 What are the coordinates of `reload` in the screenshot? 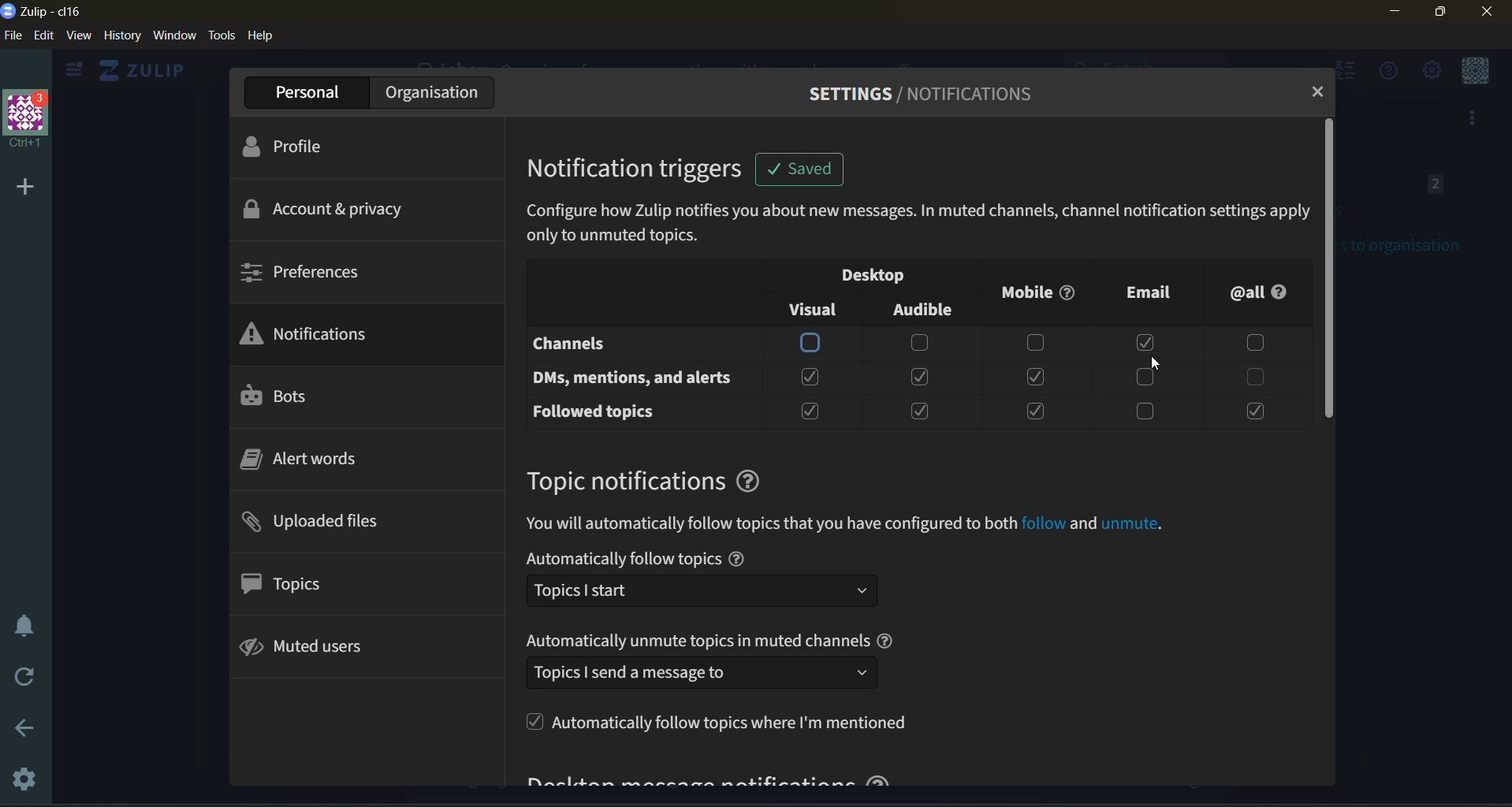 It's located at (28, 680).